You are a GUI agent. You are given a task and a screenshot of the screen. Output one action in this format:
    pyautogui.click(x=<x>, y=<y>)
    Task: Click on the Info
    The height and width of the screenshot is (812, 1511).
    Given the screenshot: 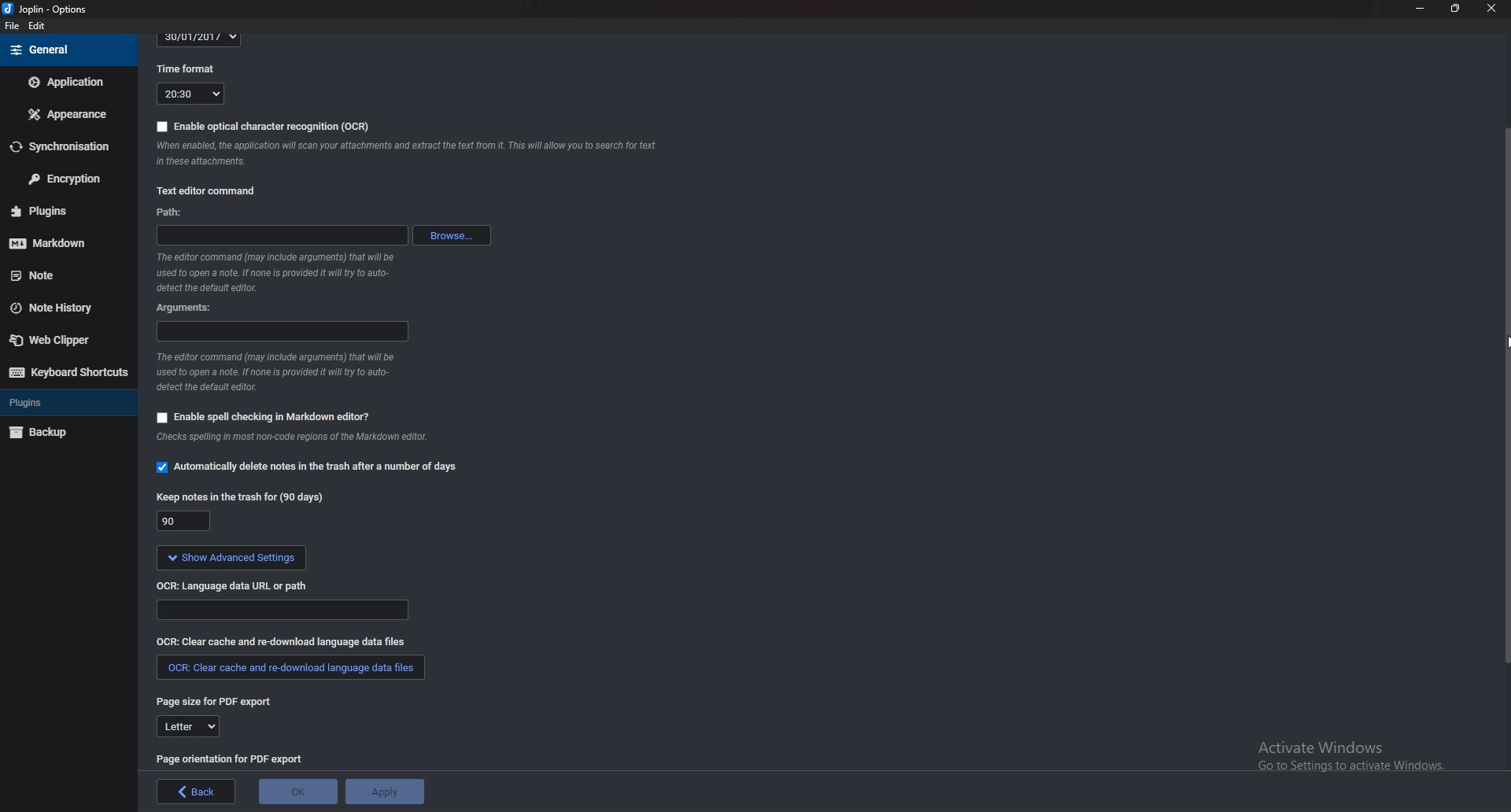 What is the action you would take?
    pyautogui.click(x=283, y=272)
    